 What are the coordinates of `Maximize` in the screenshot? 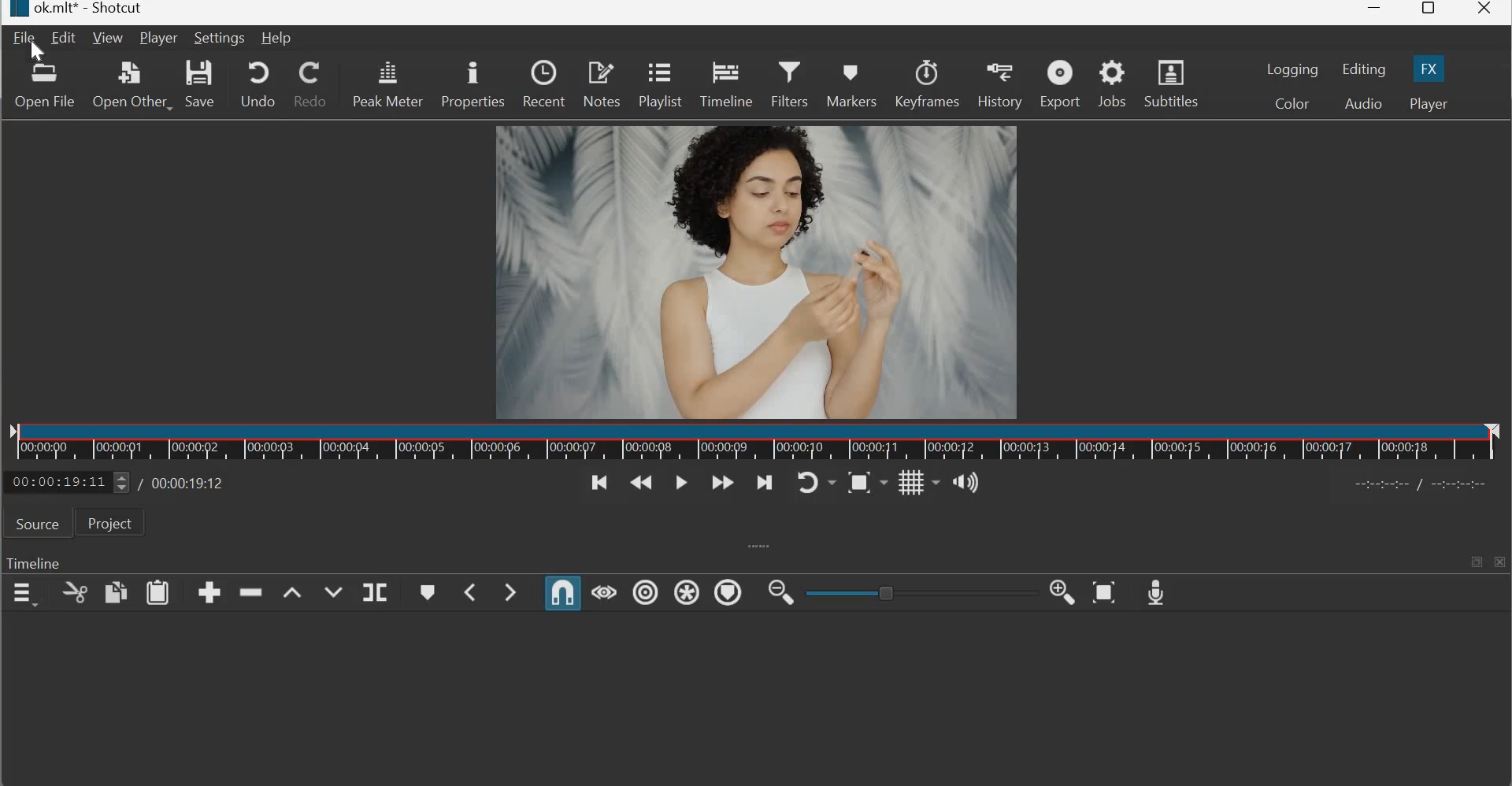 It's located at (1429, 11).